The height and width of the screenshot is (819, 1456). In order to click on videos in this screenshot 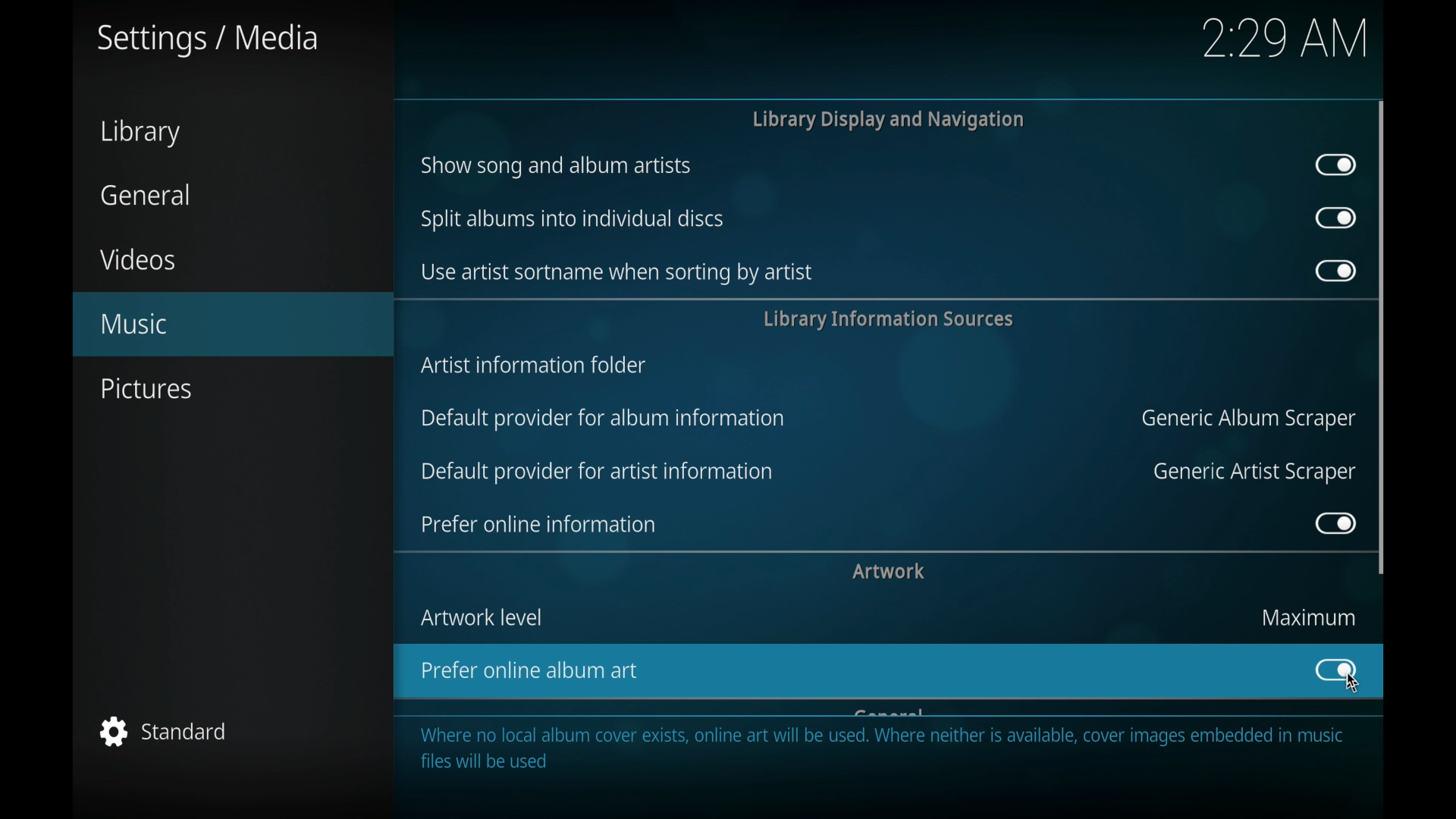, I will do `click(140, 260)`.